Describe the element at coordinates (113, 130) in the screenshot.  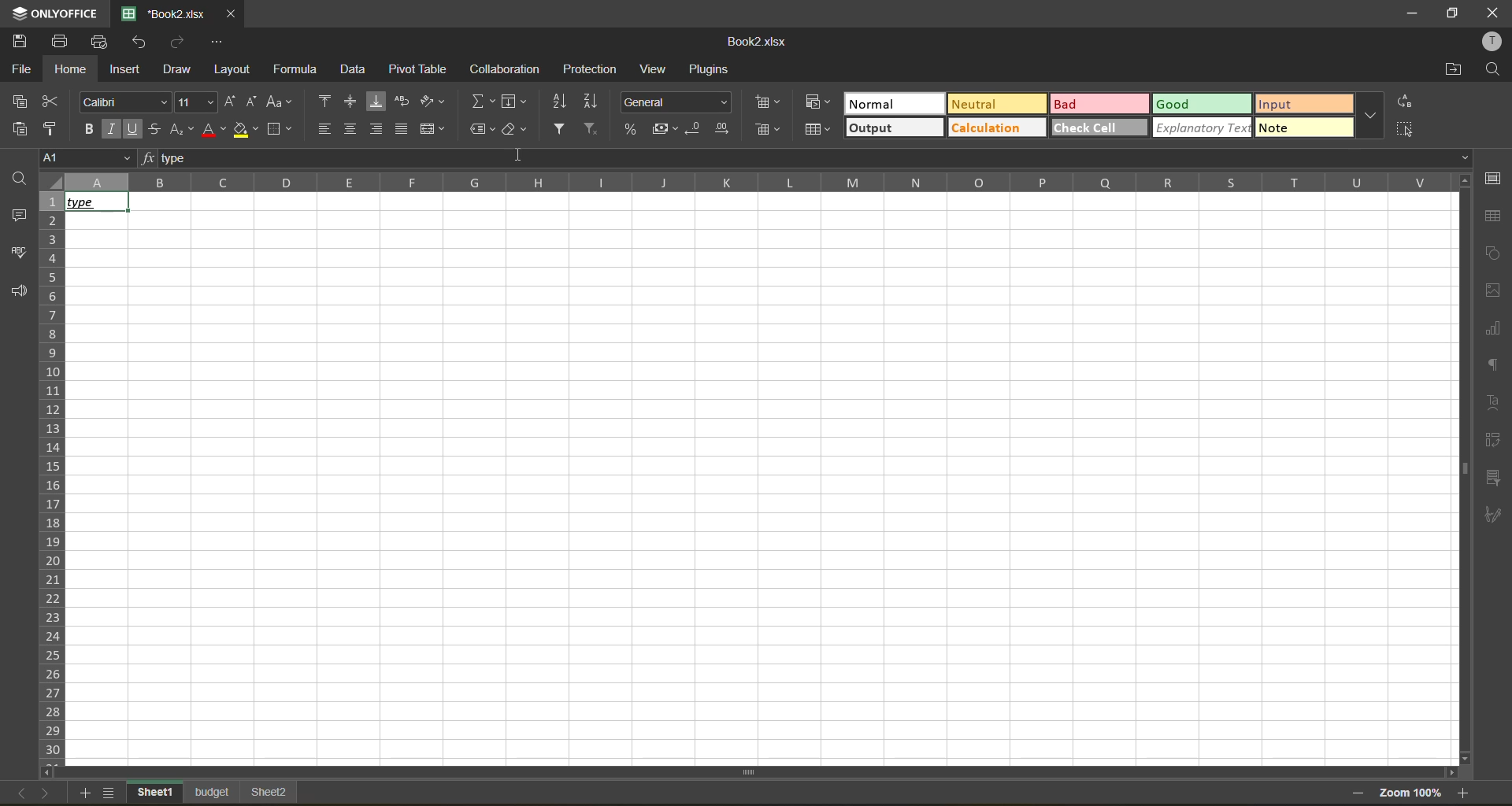
I see `italic` at that location.